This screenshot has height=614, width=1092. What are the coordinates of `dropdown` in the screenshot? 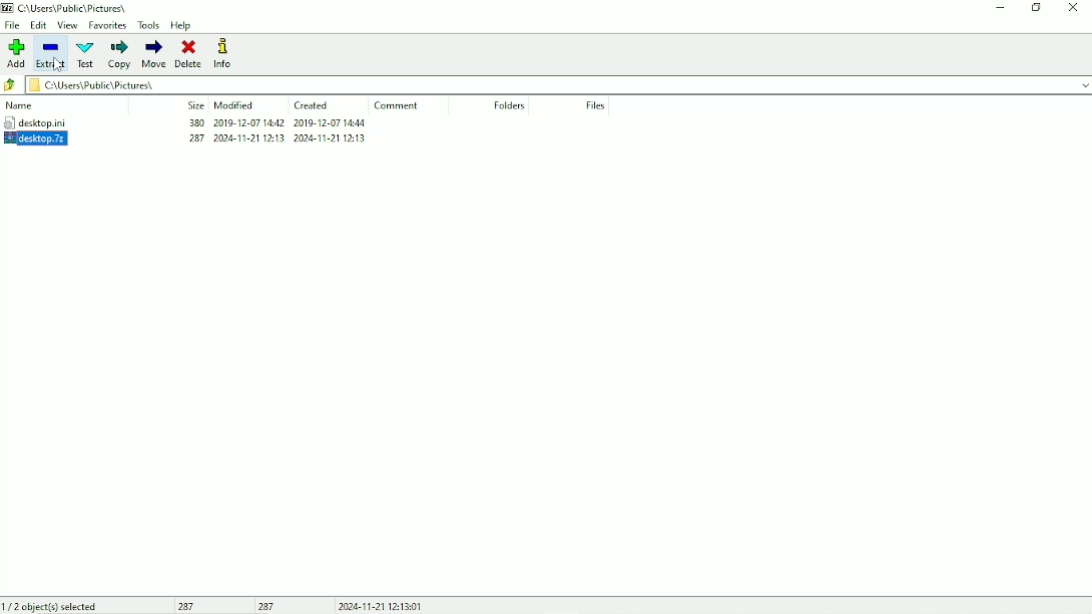 It's located at (1082, 84).